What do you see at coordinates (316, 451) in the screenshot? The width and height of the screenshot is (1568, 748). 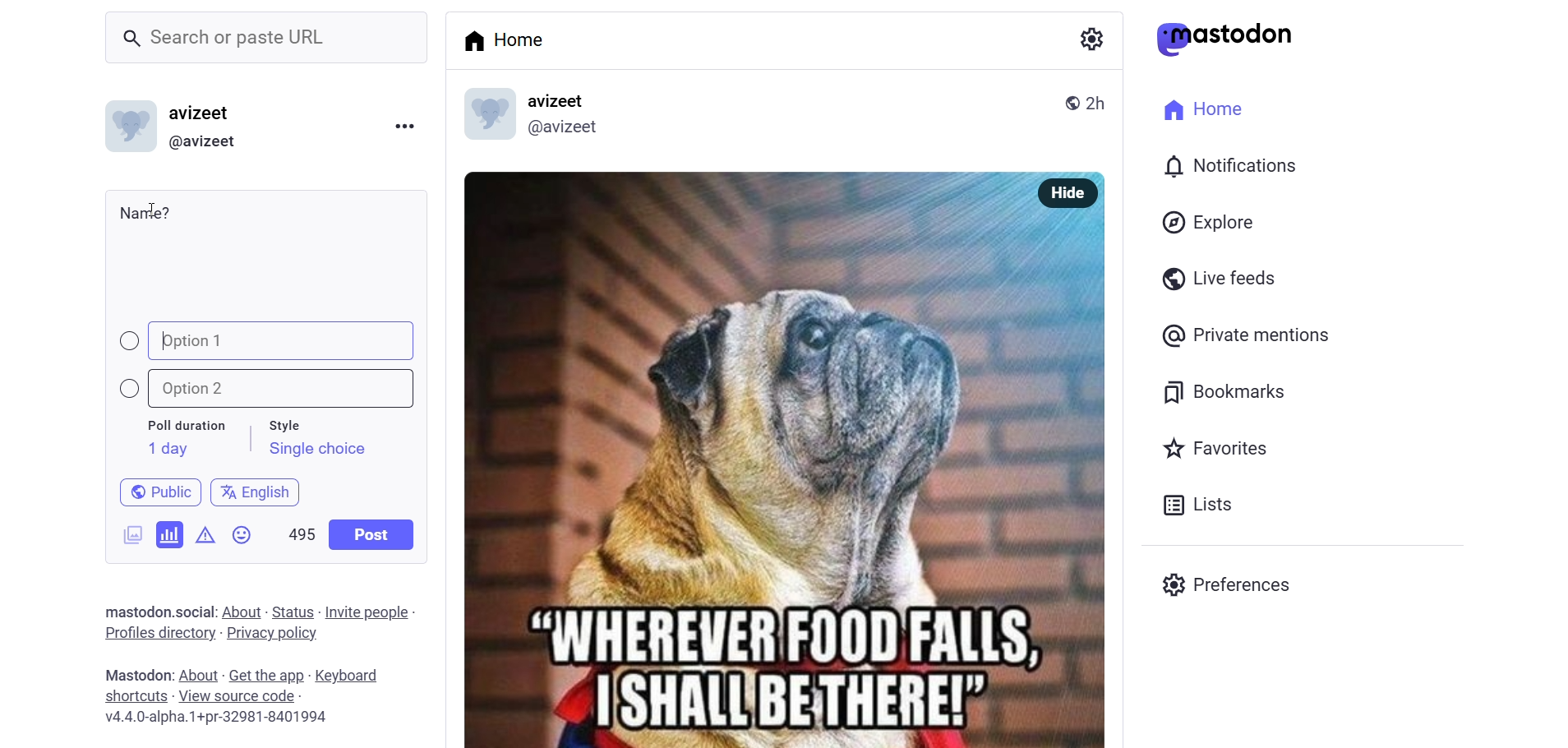 I see `single choice` at bounding box center [316, 451].